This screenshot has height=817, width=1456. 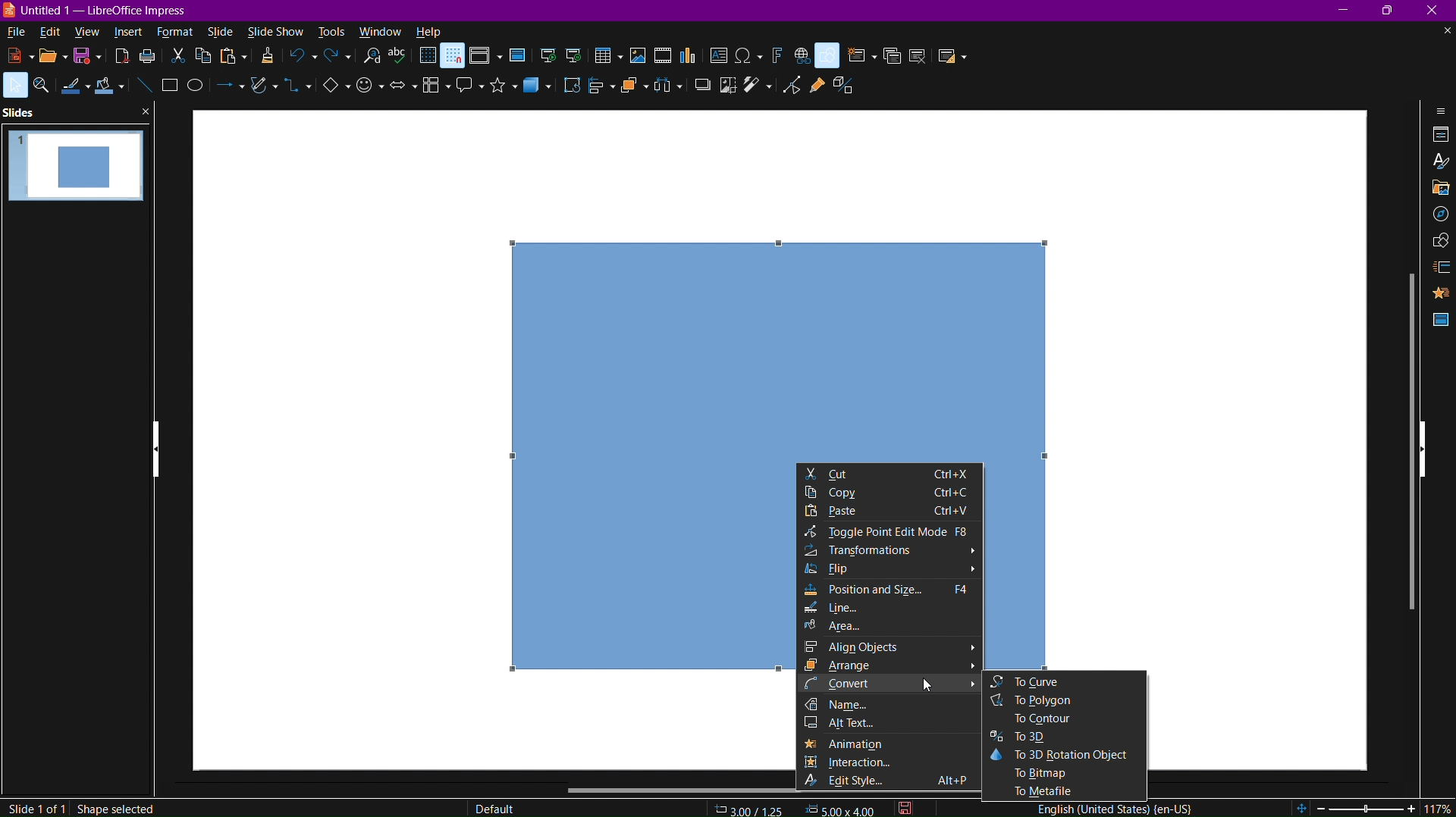 What do you see at coordinates (577, 55) in the screenshot?
I see `Start from Current Slide` at bounding box center [577, 55].